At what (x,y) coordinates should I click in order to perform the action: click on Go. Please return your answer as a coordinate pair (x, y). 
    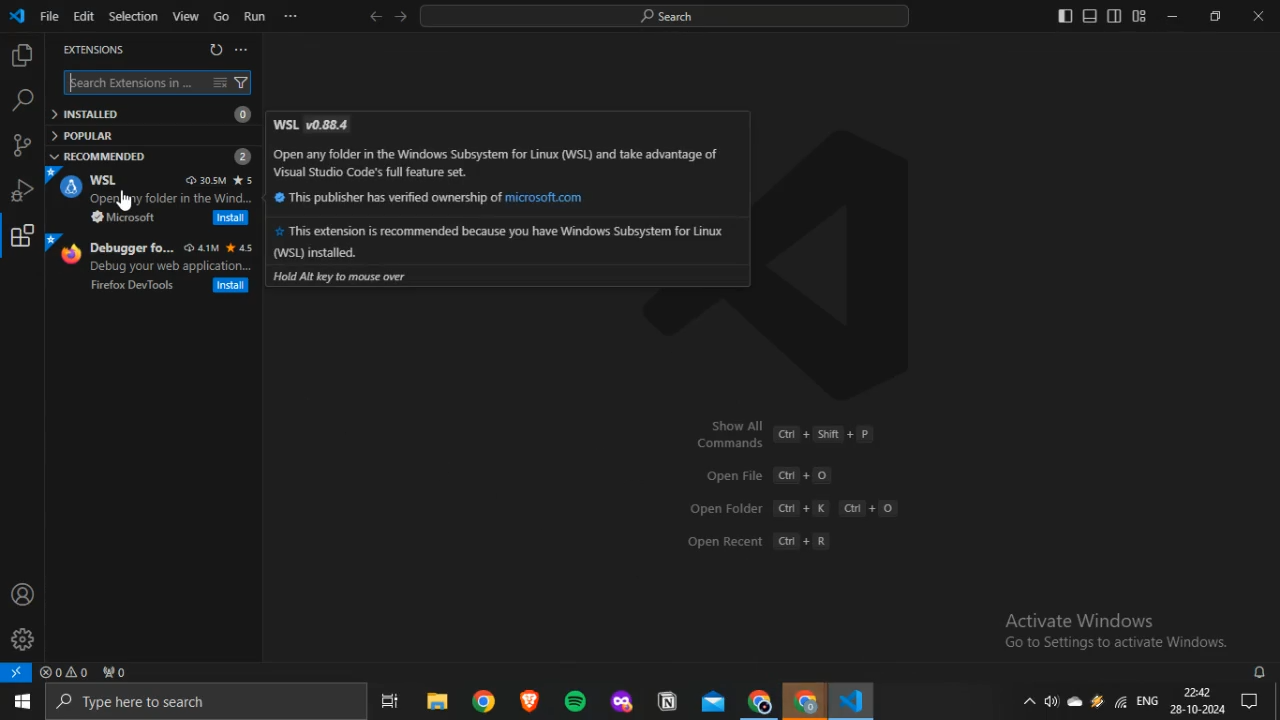
    Looking at the image, I should click on (221, 16).